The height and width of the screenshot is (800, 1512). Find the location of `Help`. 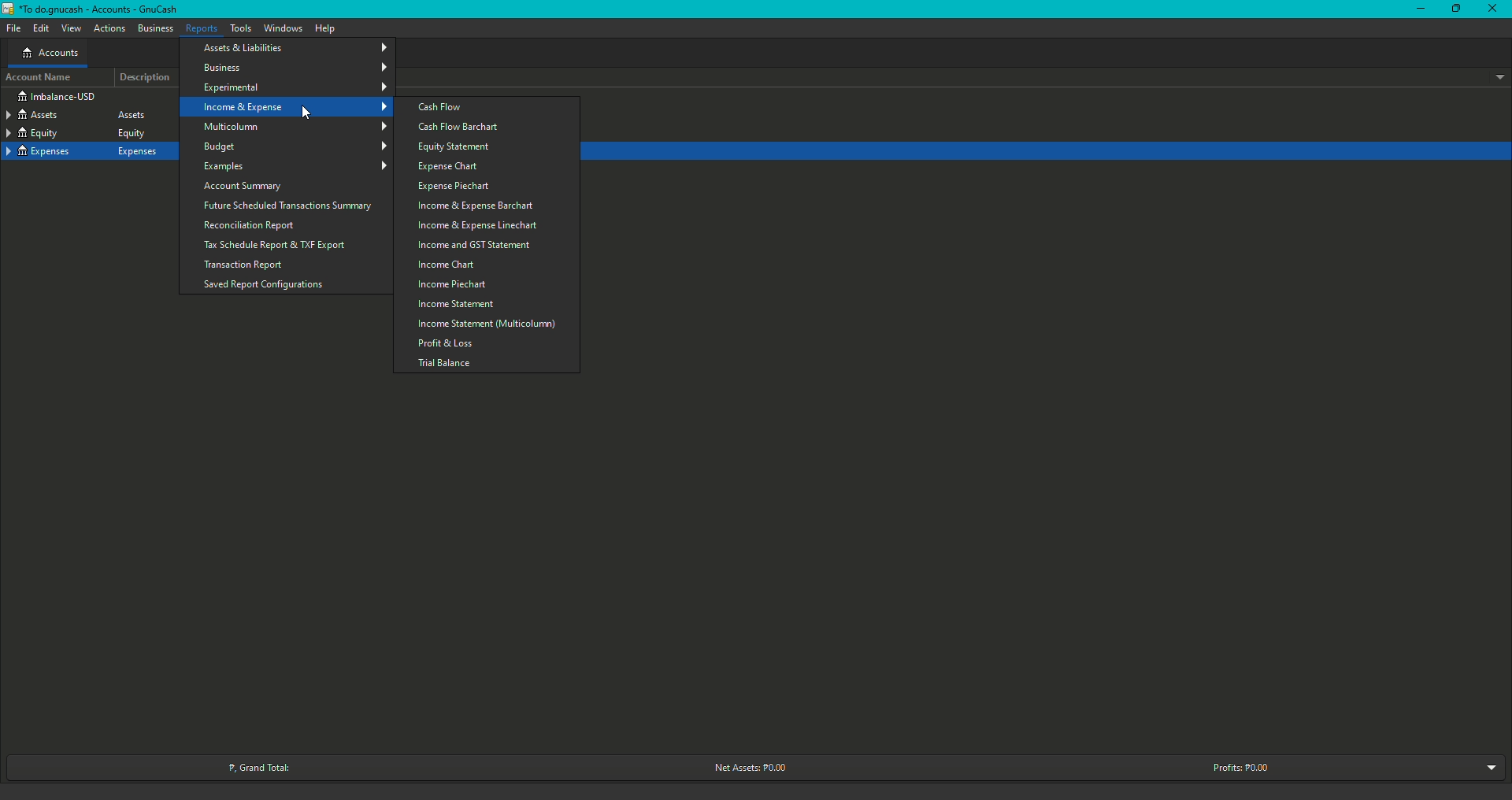

Help is located at coordinates (326, 29).